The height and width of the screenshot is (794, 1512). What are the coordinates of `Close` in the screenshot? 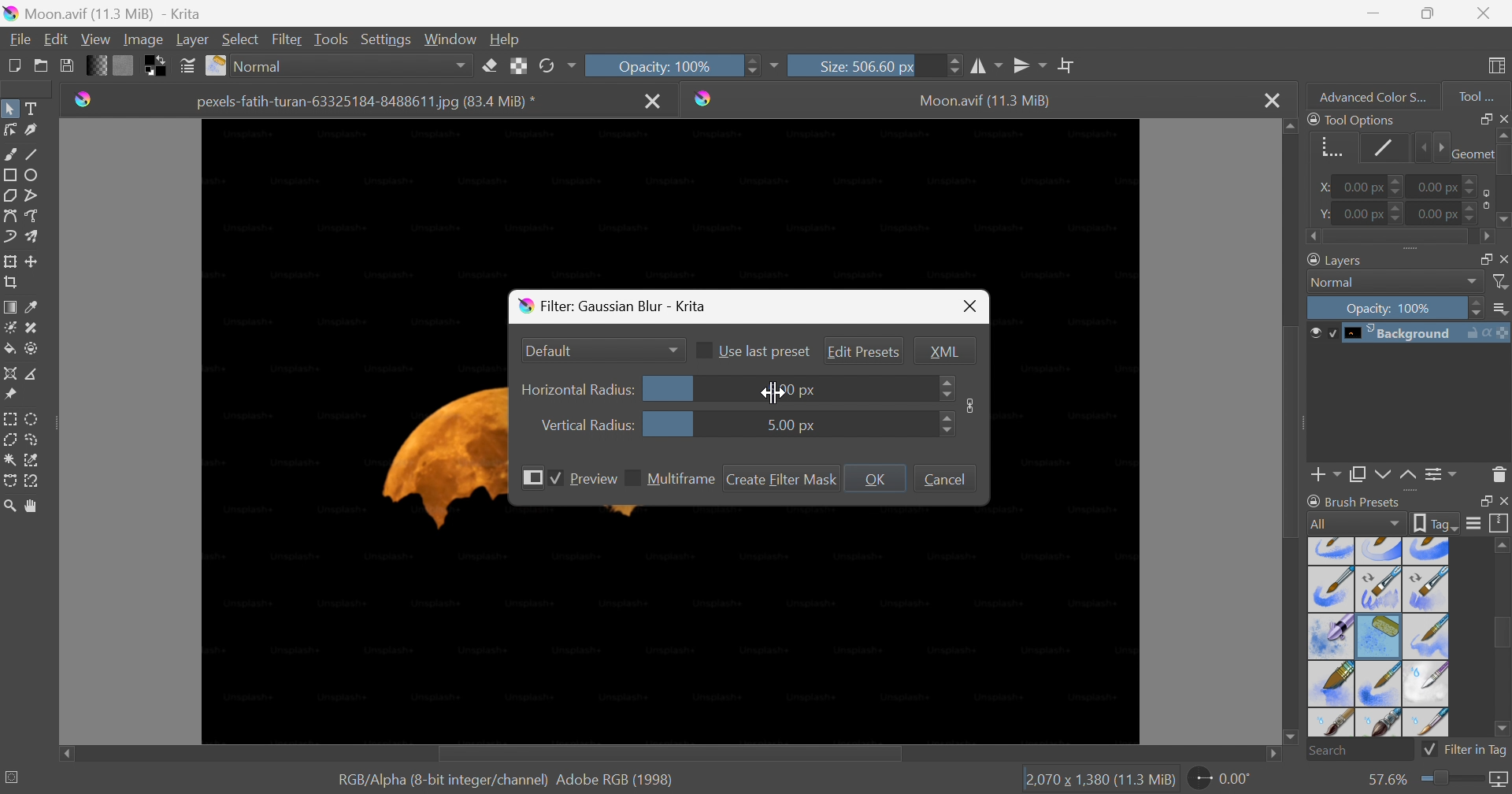 It's located at (1503, 118).